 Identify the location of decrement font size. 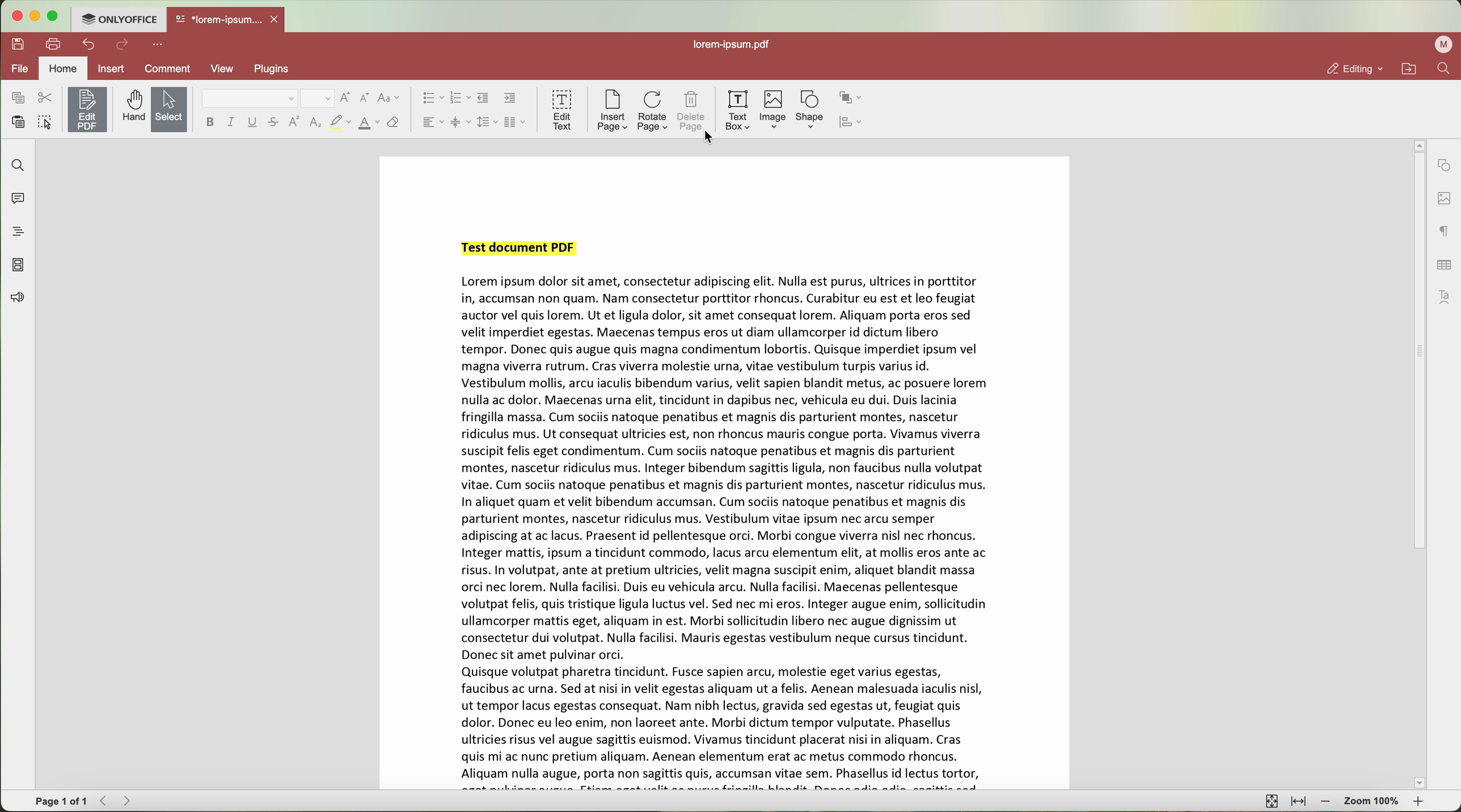
(366, 98).